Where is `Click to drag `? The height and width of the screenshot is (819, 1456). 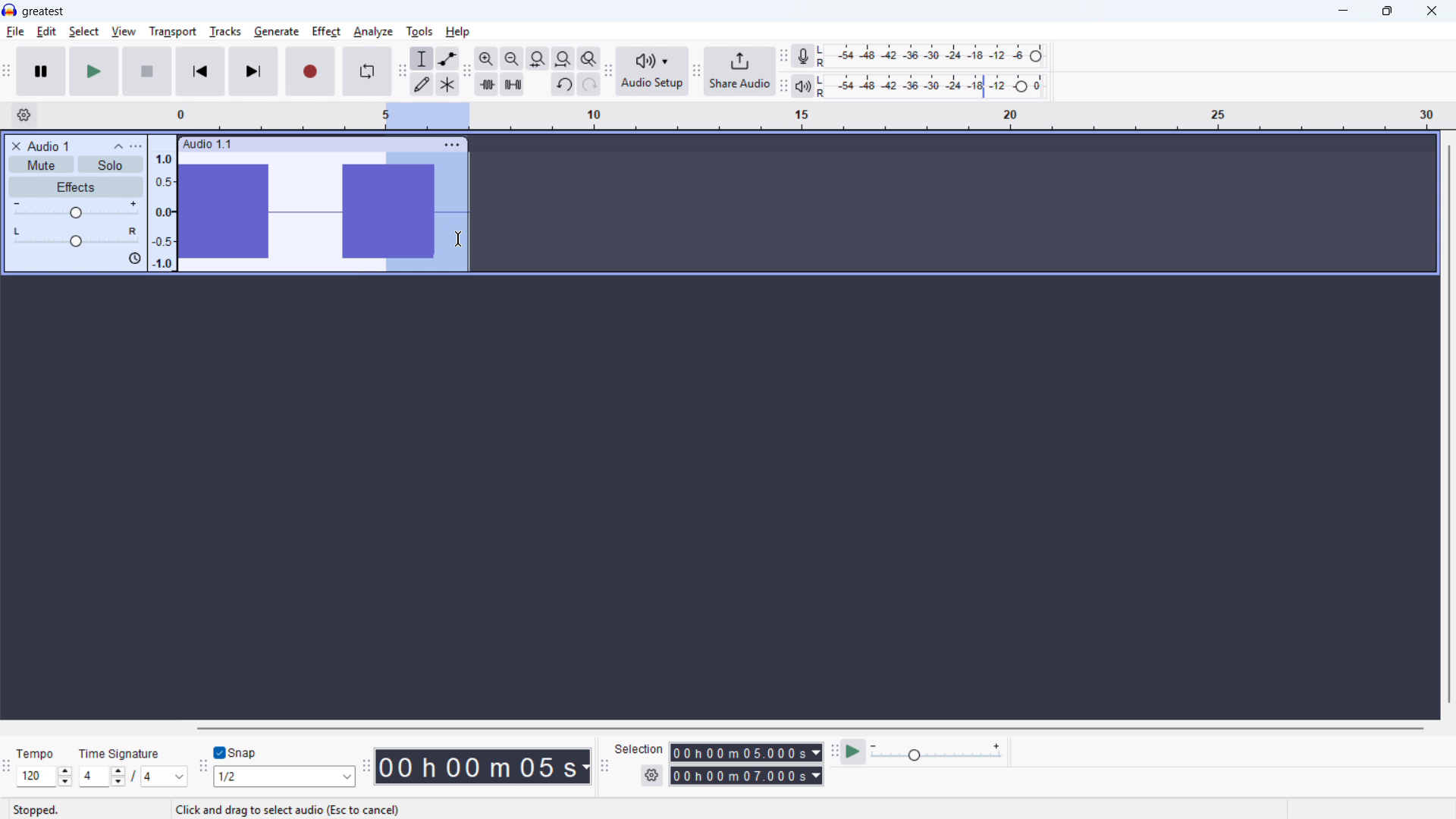 Click to drag  is located at coordinates (339, 143).